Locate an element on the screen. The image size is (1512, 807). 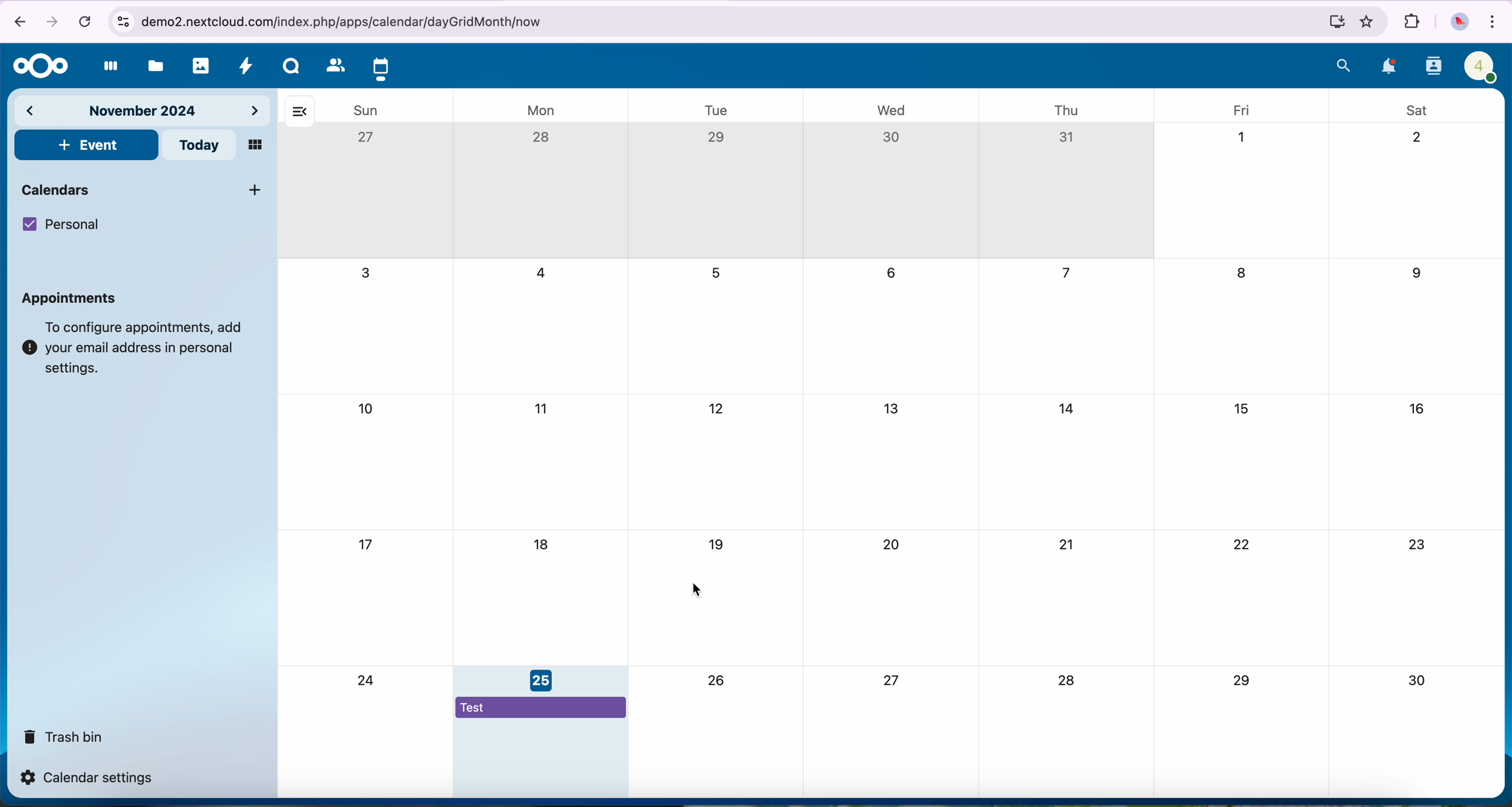
personal is located at coordinates (61, 225).